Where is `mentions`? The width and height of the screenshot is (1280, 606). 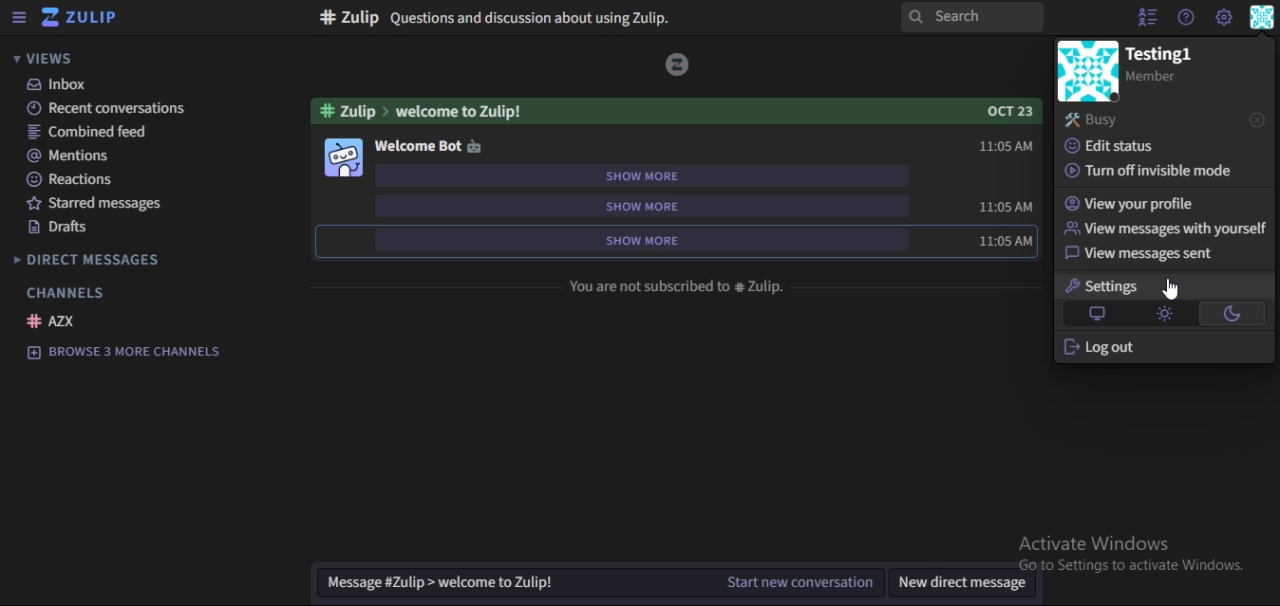 mentions is located at coordinates (79, 156).